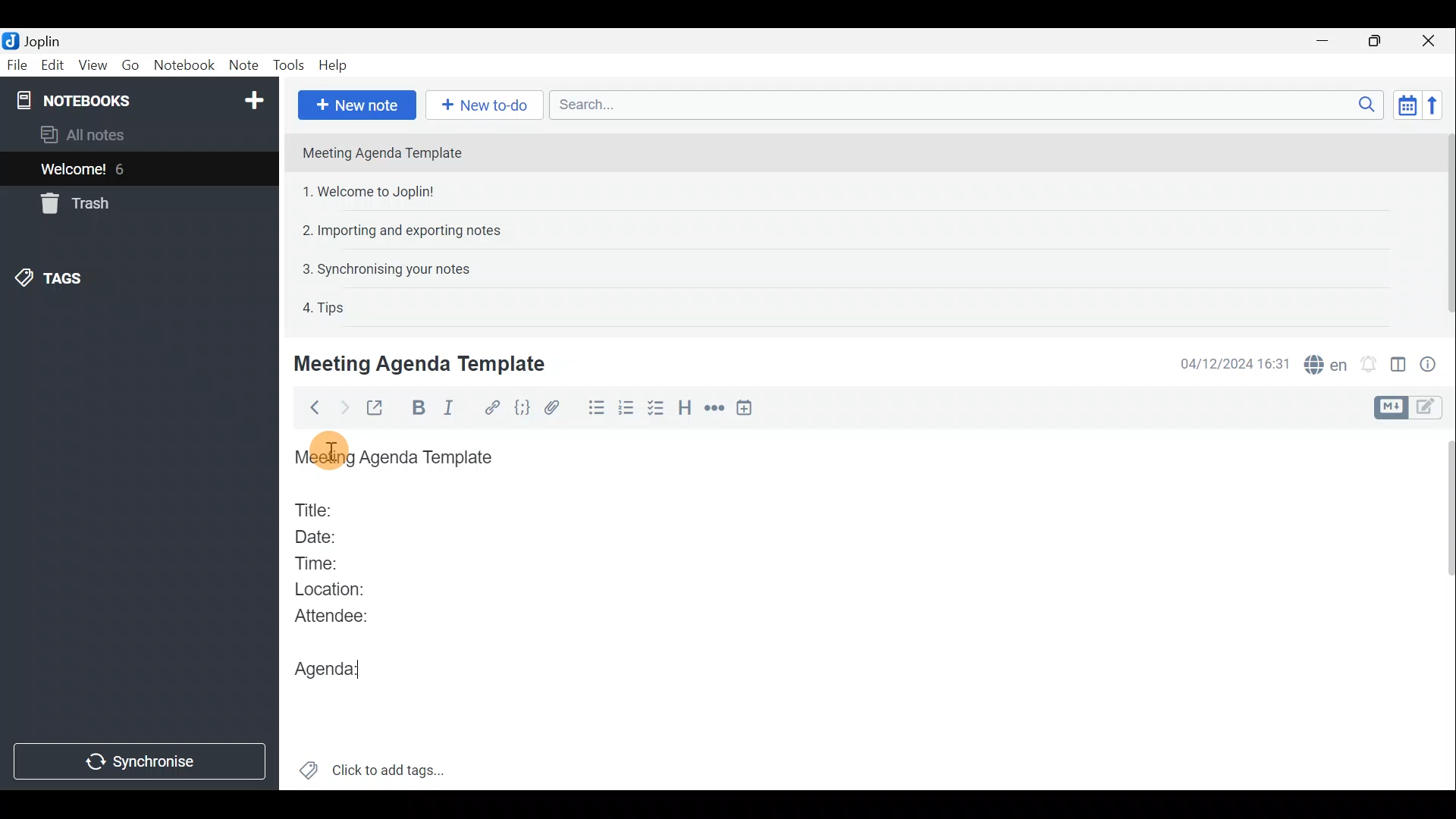 This screenshot has height=819, width=1456. What do you see at coordinates (310, 410) in the screenshot?
I see `Back` at bounding box center [310, 410].